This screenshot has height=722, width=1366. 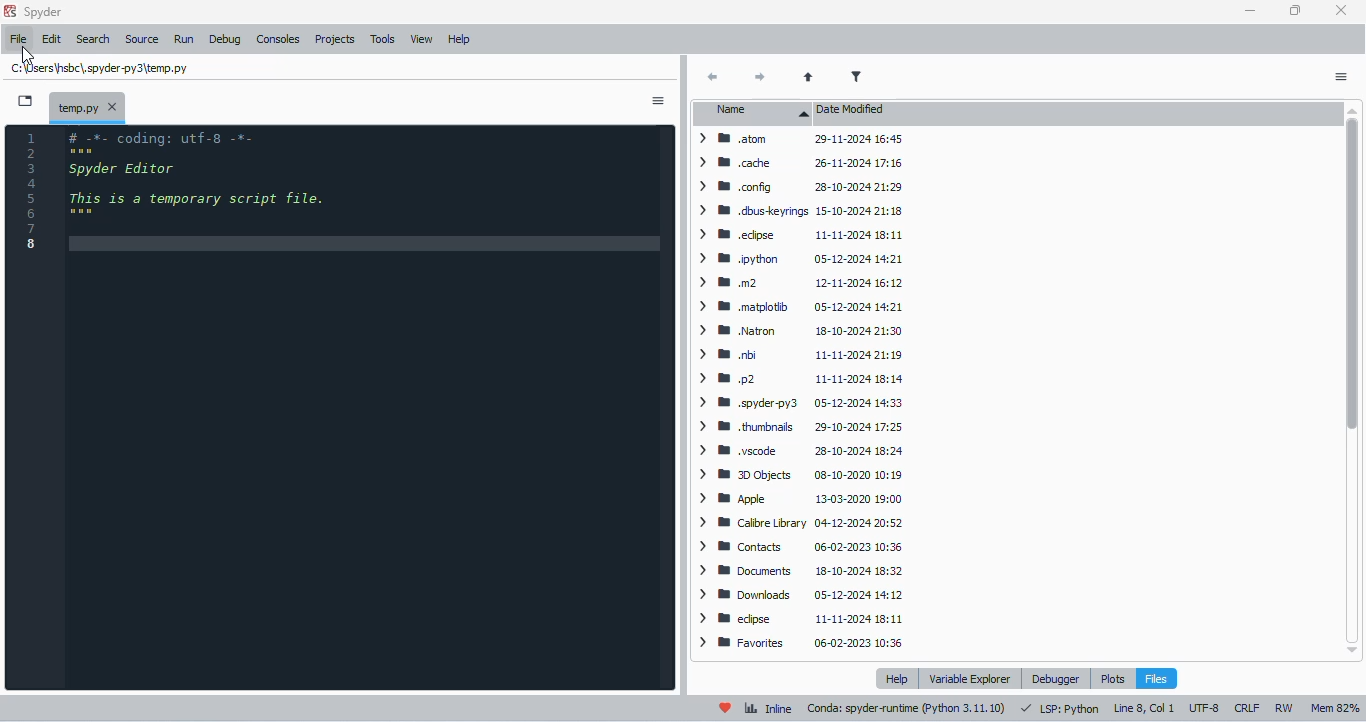 I want to click on browse tabs, so click(x=26, y=101).